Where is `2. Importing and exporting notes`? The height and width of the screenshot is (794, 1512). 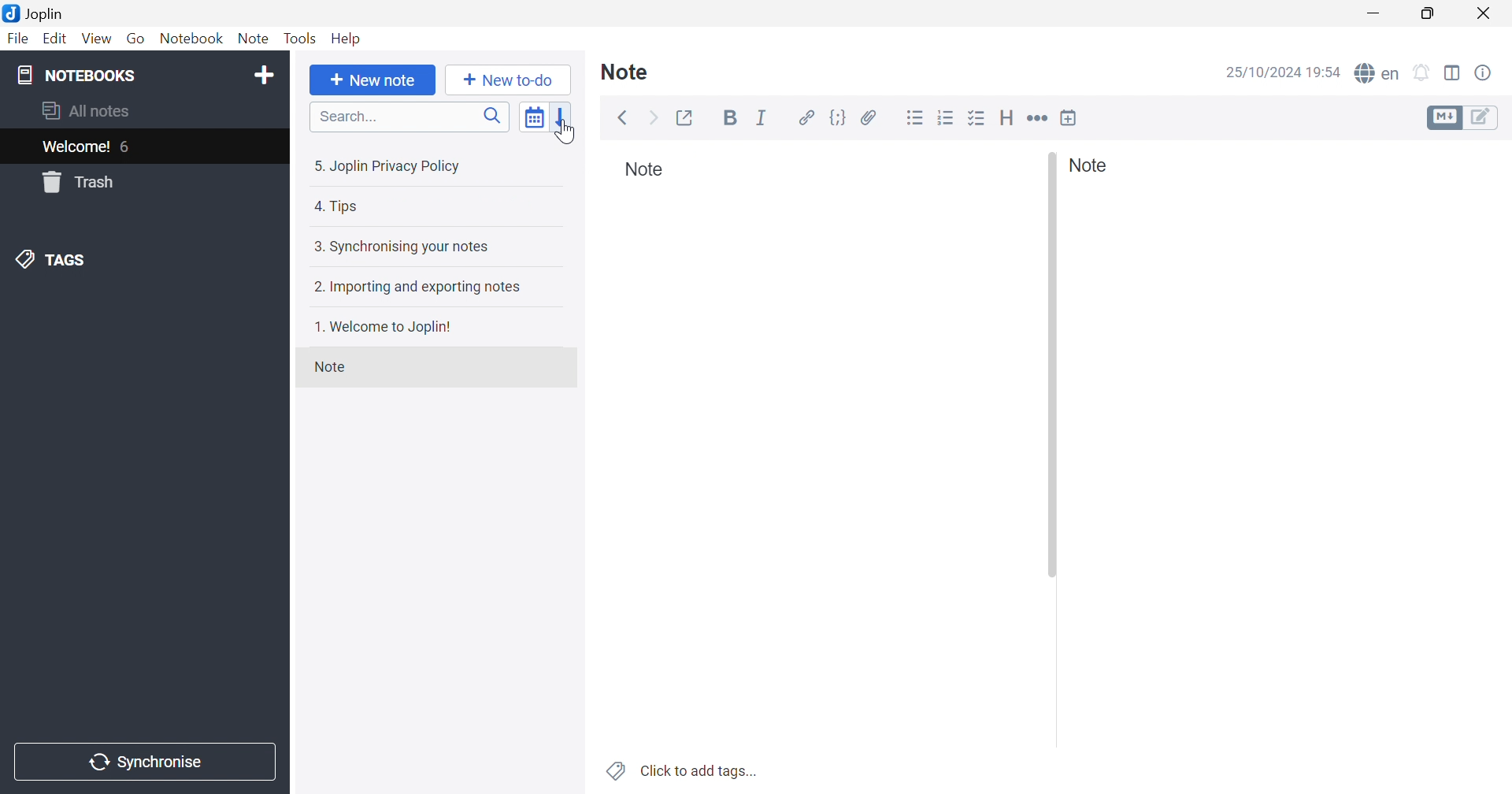
2. Importing and exporting notes is located at coordinates (417, 288).